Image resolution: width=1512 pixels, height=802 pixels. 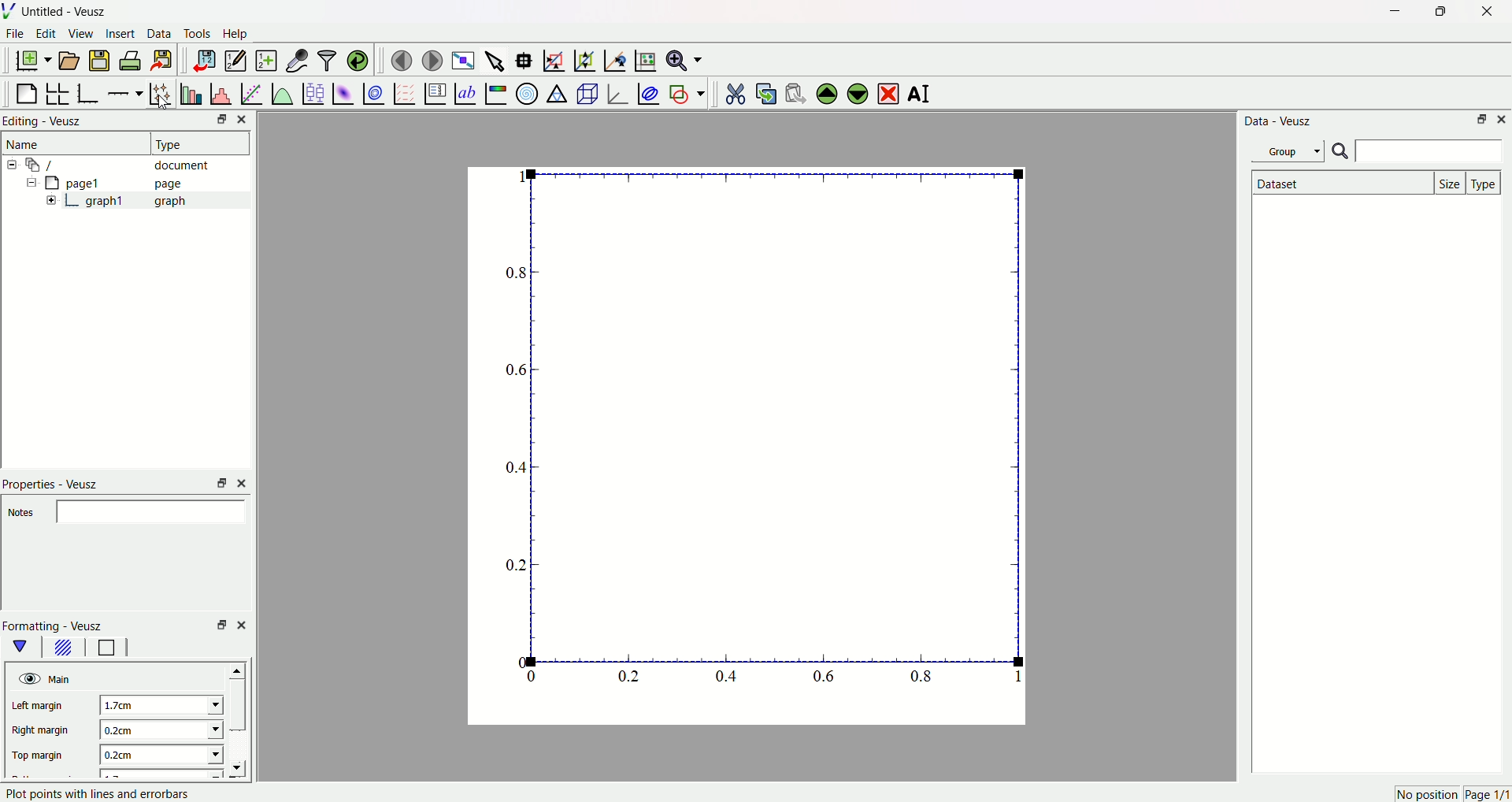 What do you see at coordinates (217, 121) in the screenshot?
I see `Minimize` at bounding box center [217, 121].